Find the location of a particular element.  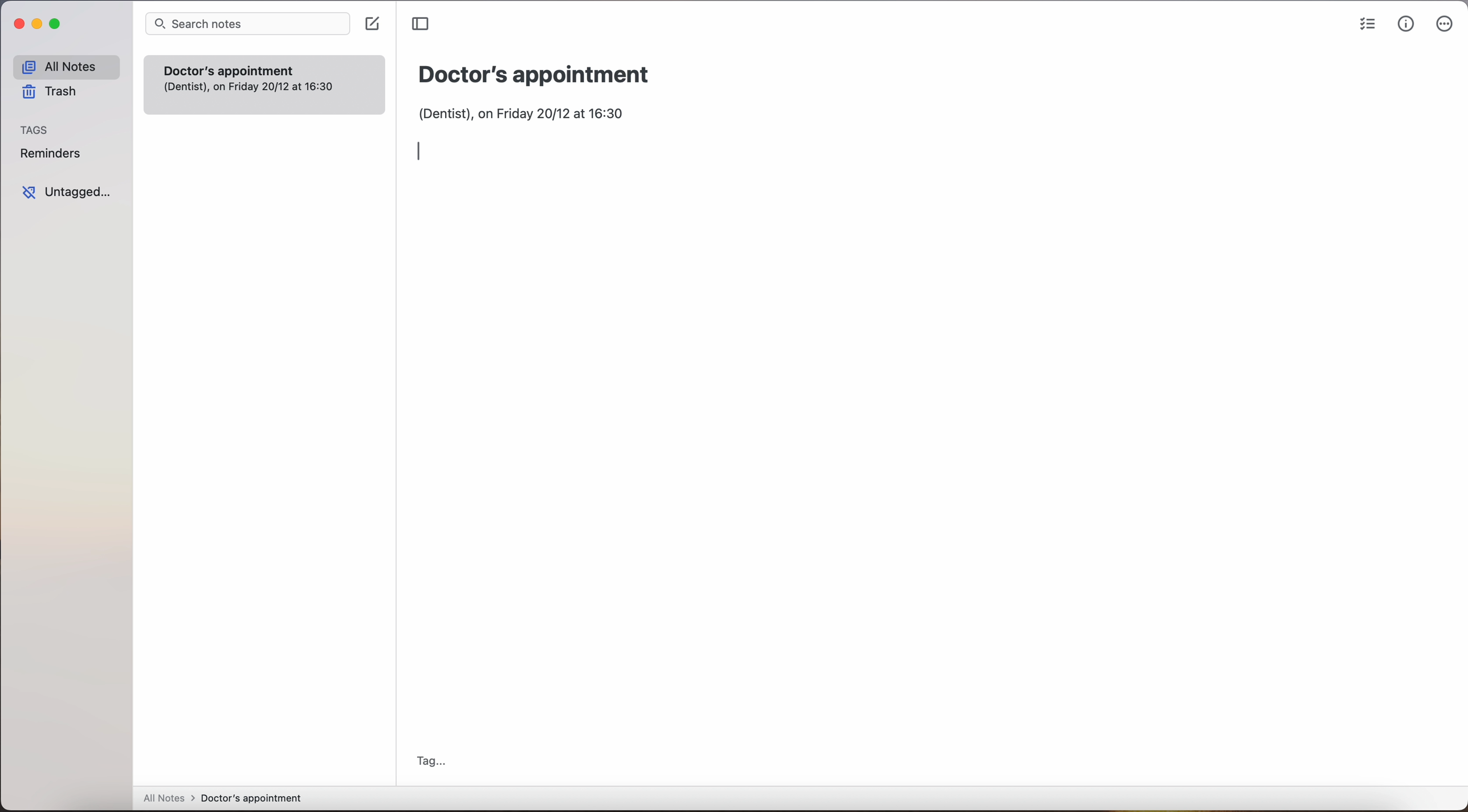

untagged is located at coordinates (70, 192).